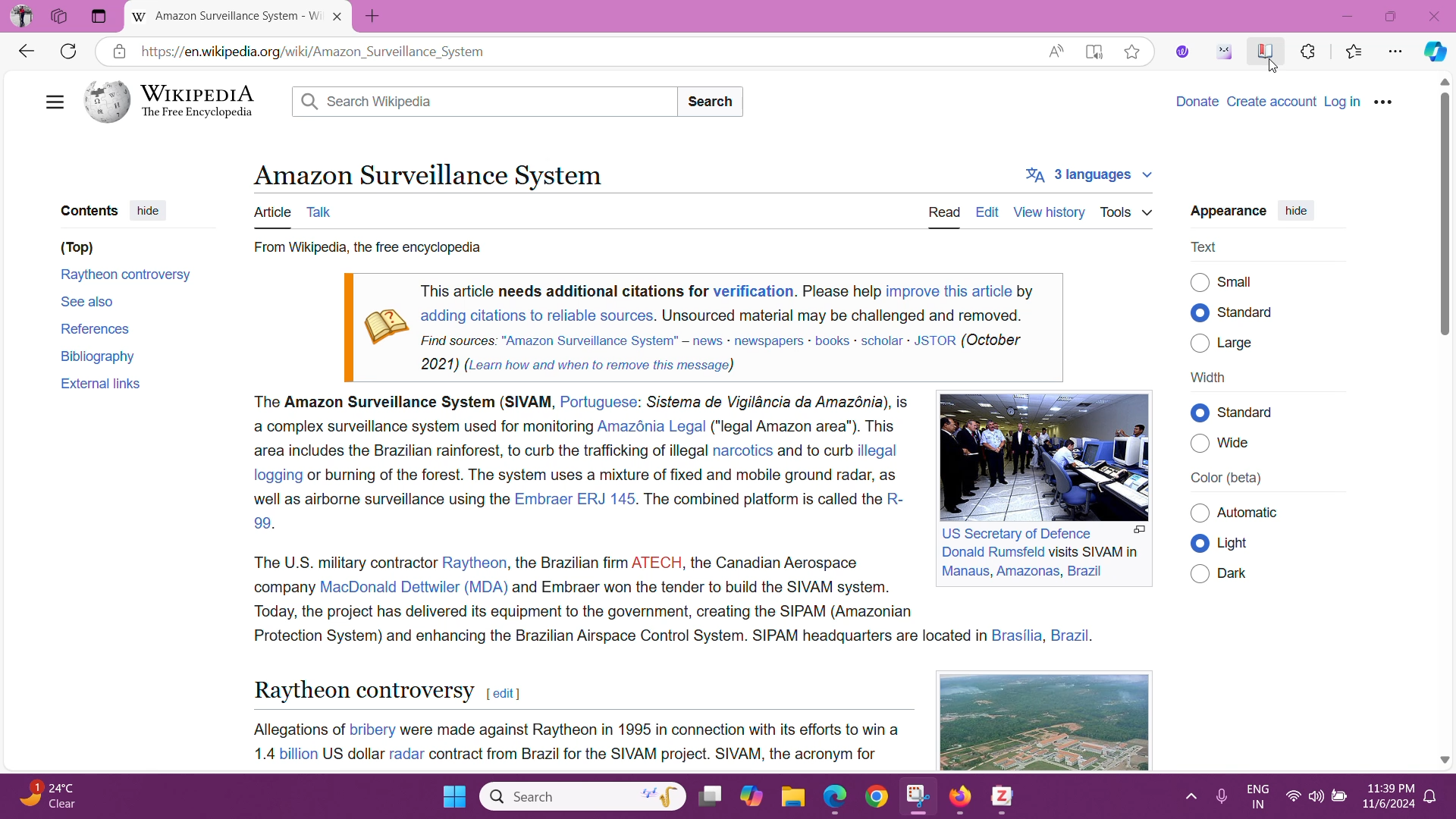  Describe the element at coordinates (178, 102) in the screenshot. I see `WIKIPEDIA
3 The Free Encyclopedia` at that location.